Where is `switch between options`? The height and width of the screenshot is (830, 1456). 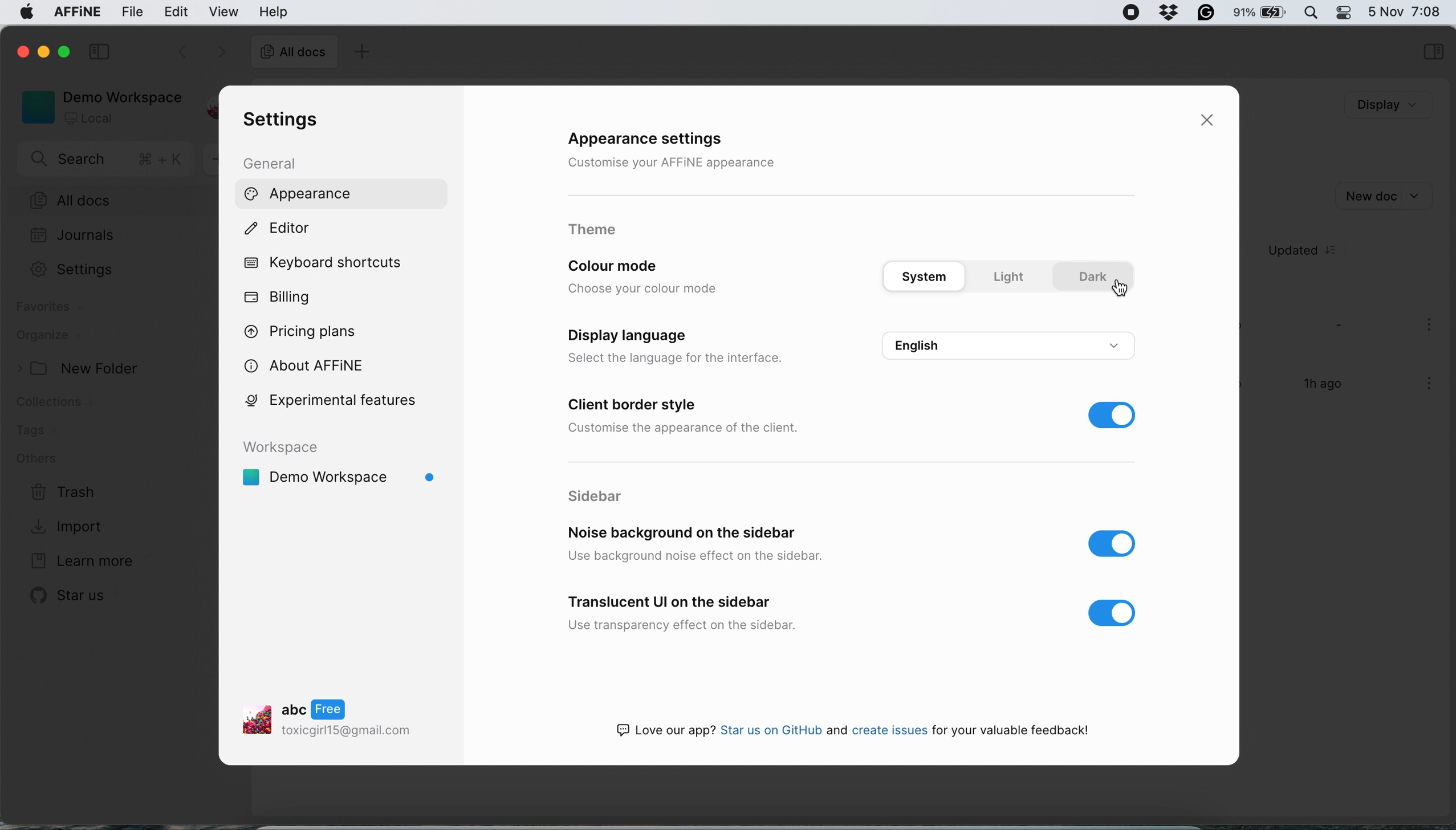
switch between options is located at coordinates (221, 51).